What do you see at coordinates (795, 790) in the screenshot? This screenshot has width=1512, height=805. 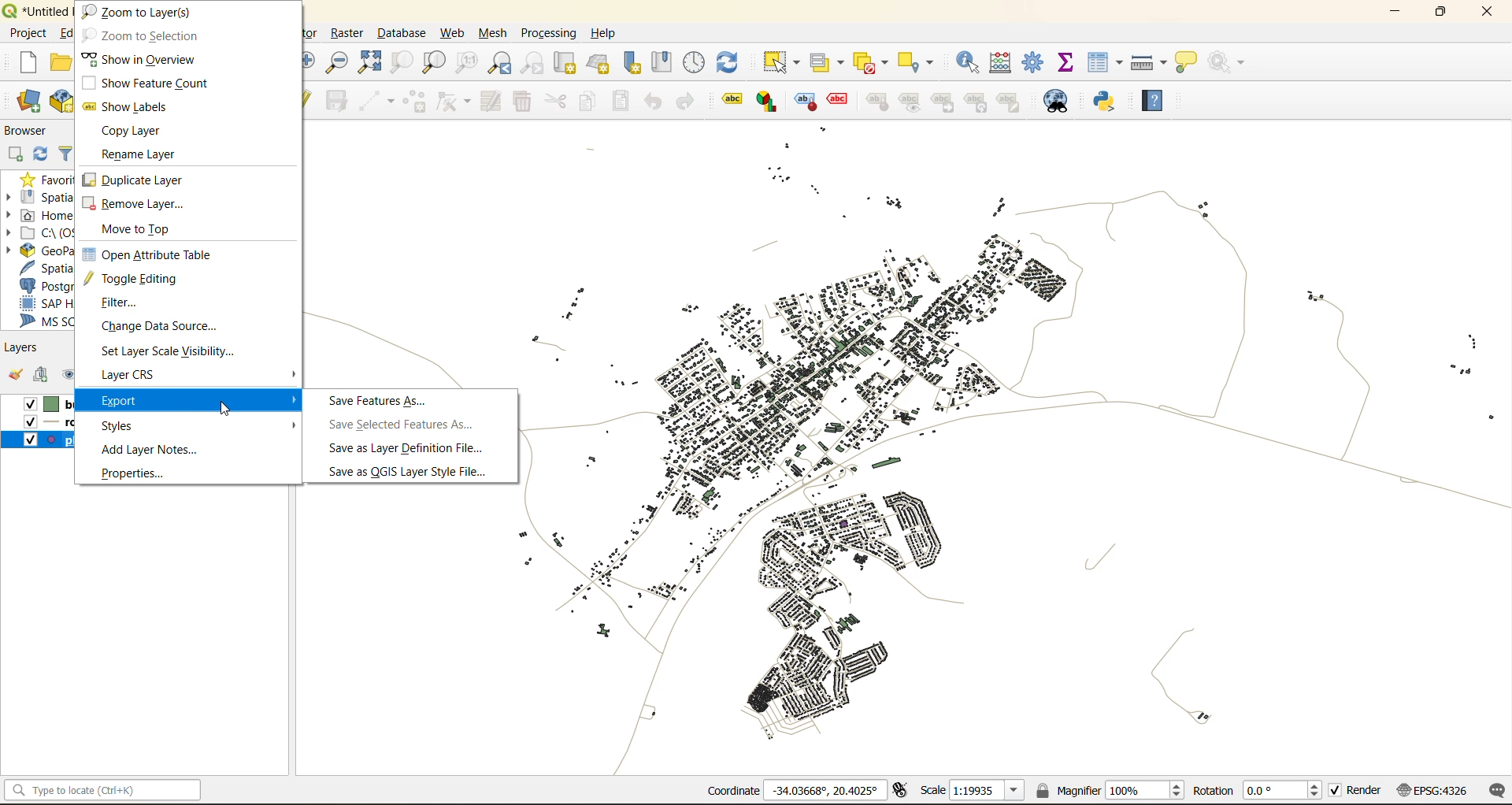 I see `coordinates` at bounding box center [795, 790].